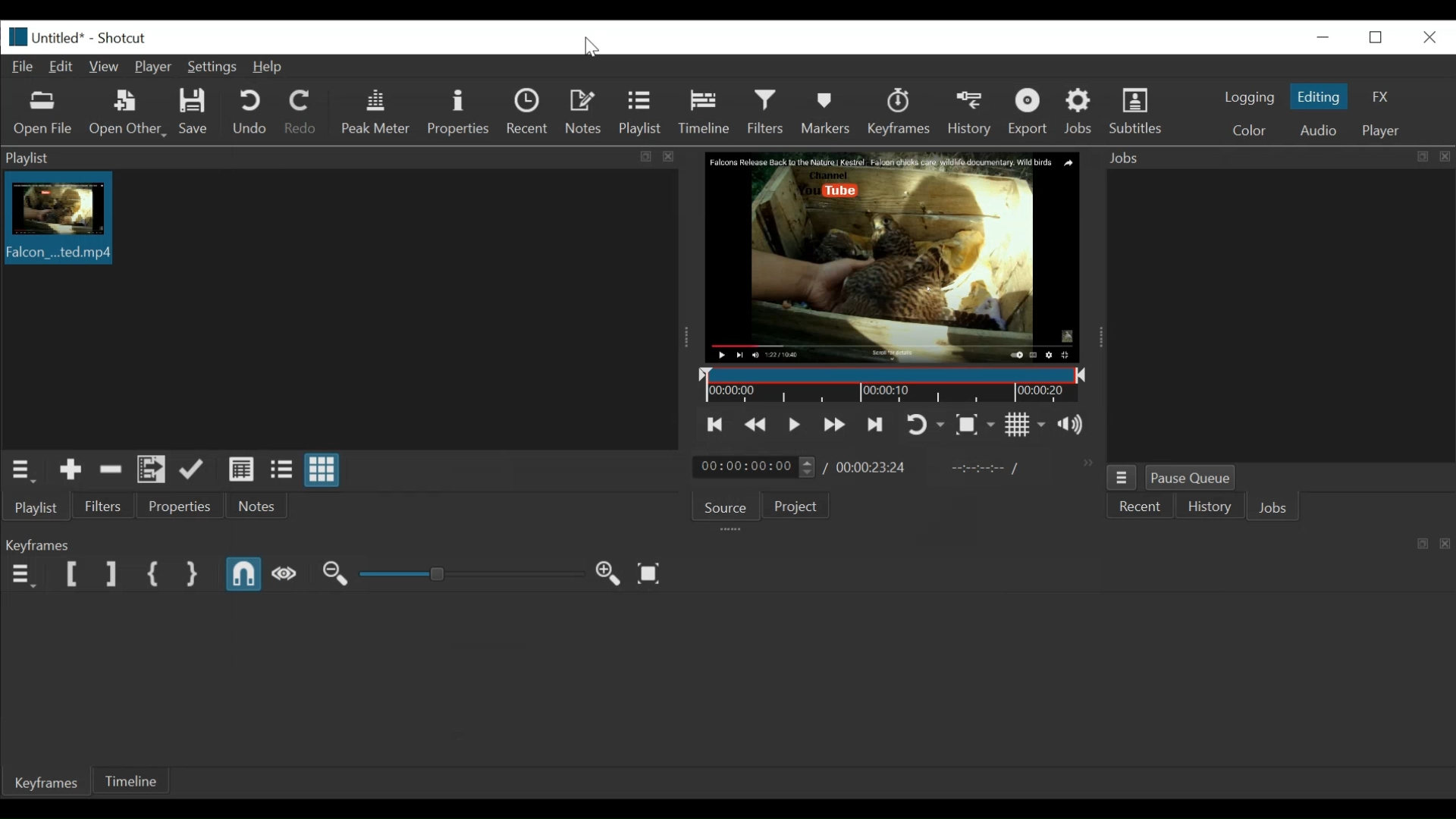  Describe the element at coordinates (22, 67) in the screenshot. I see `File` at that location.